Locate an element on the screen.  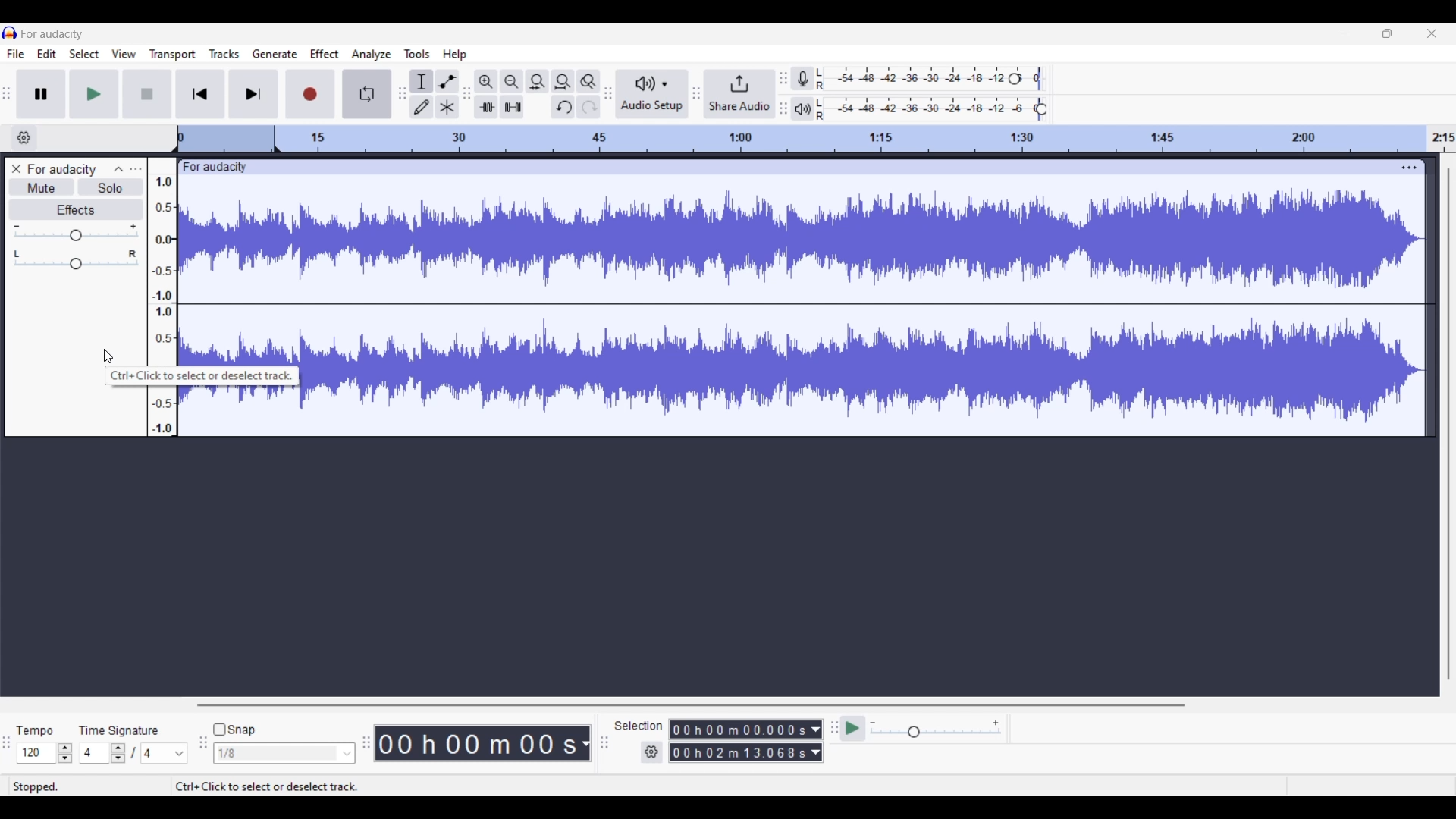
Undo is located at coordinates (563, 106).